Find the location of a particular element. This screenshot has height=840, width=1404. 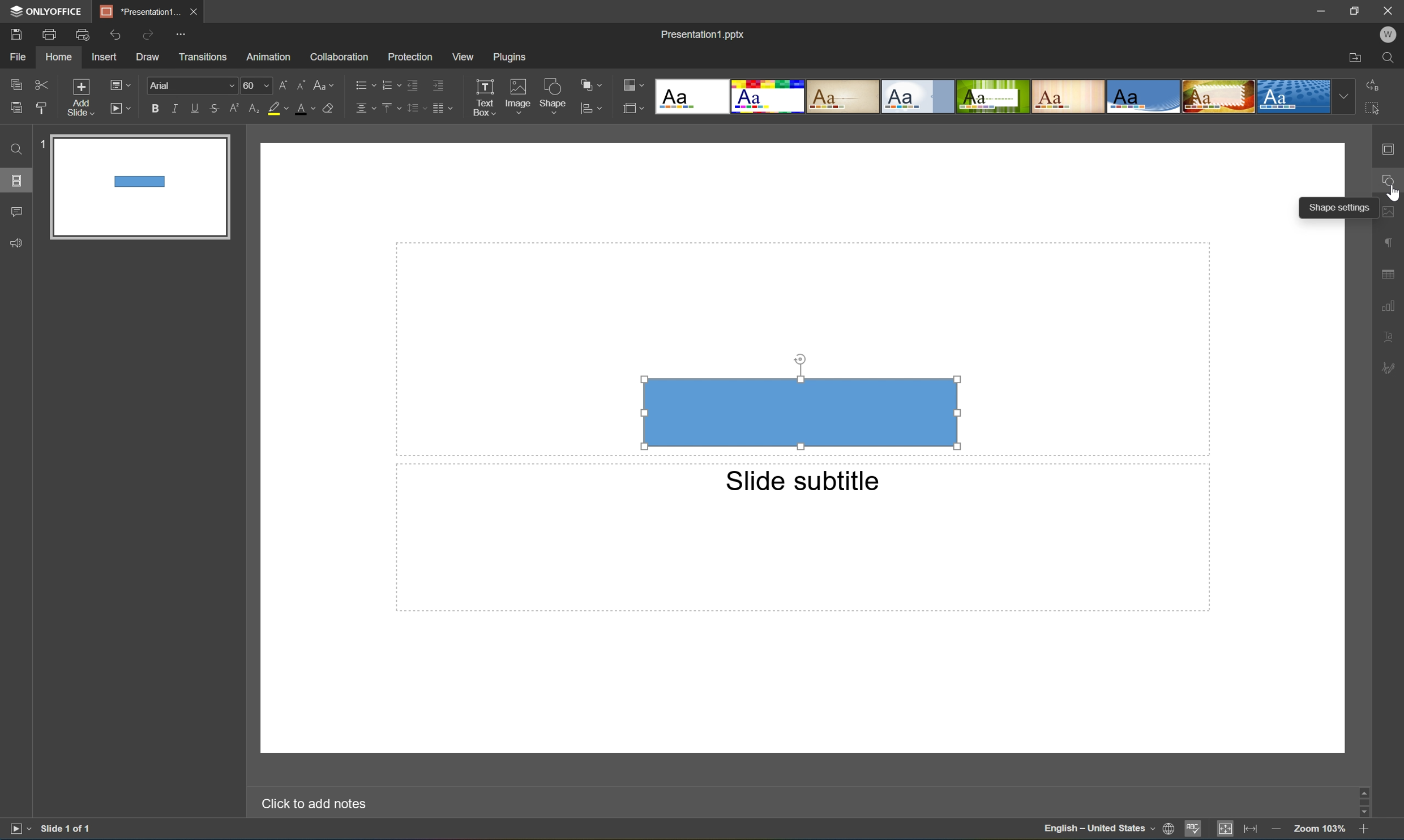

Highlight color is located at coordinates (282, 109).